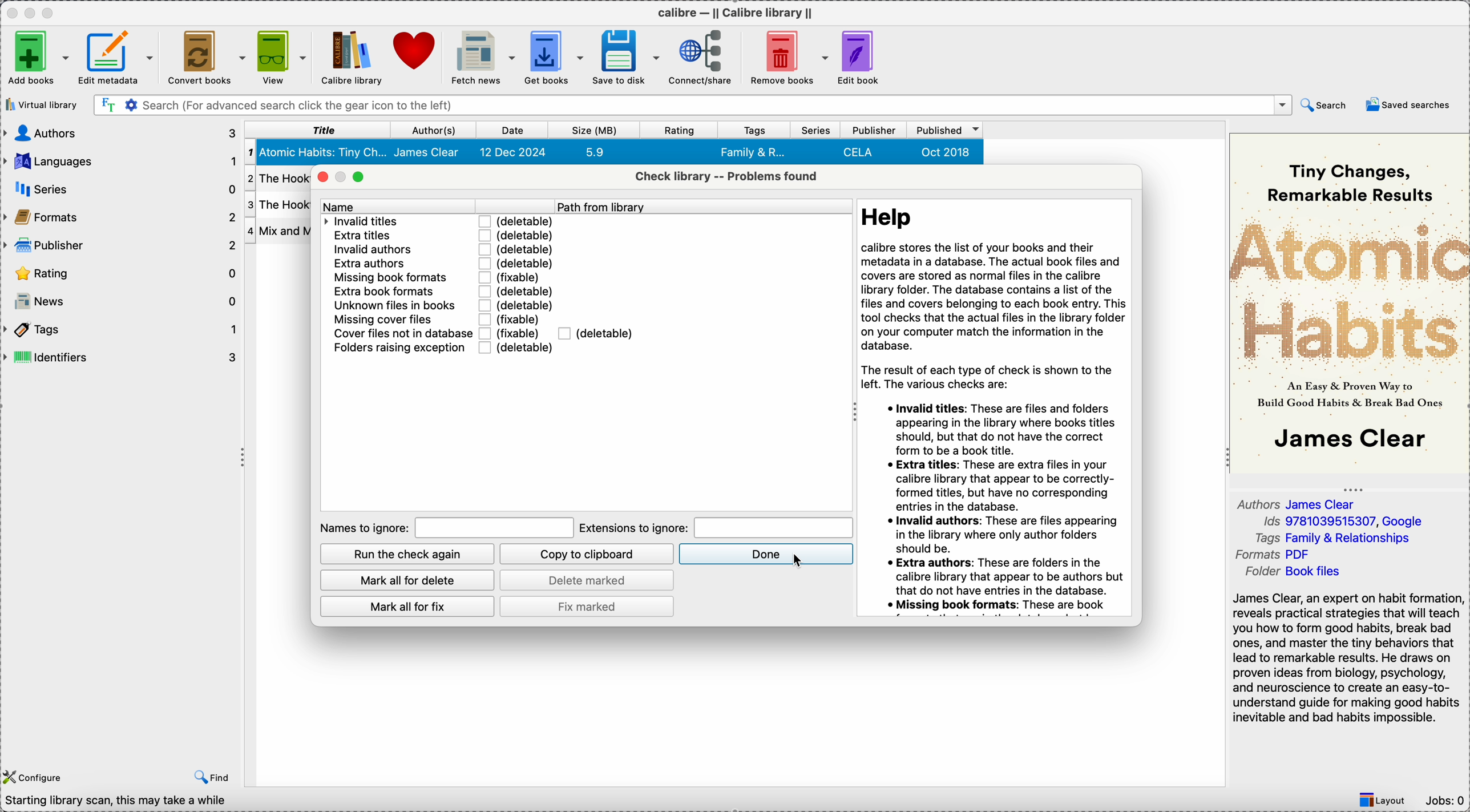 The image size is (1470, 812). Describe the element at coordinates (340, 177) in the screenshot. I see `minimize` at that location.